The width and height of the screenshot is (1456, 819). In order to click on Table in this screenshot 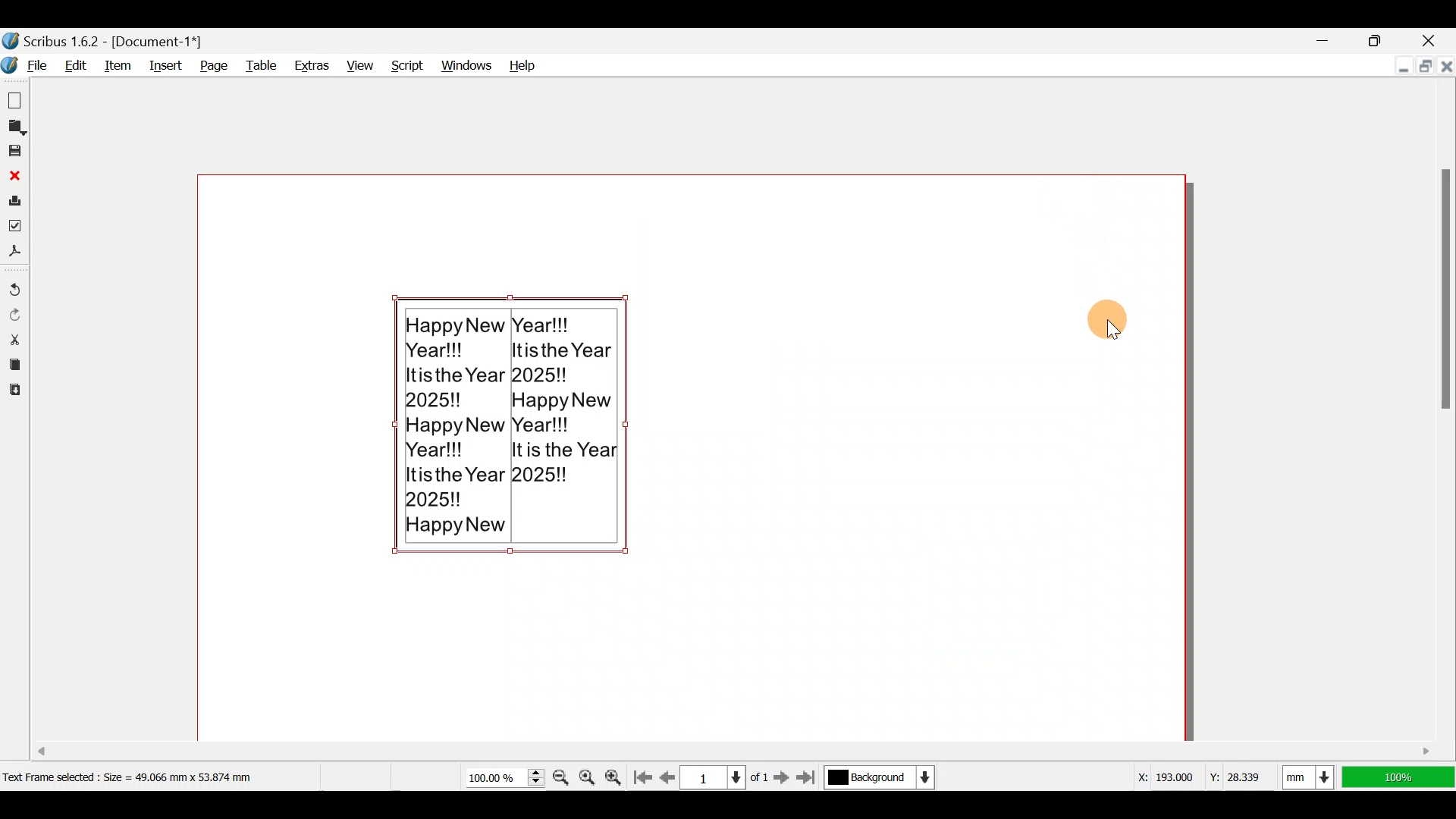, I will do `click(265, 64)`.